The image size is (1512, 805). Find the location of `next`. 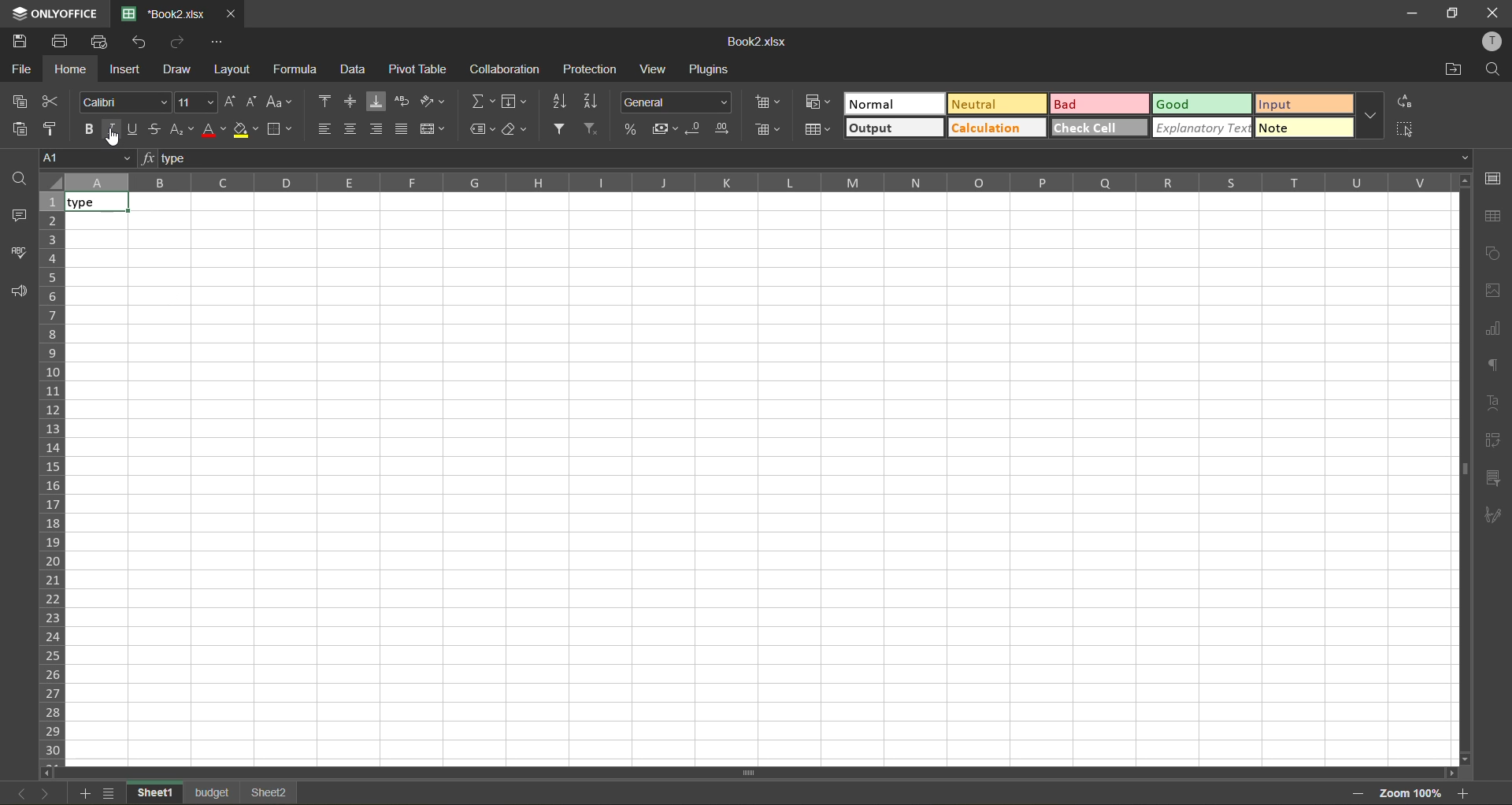

next is located at coordinates (43, 793).